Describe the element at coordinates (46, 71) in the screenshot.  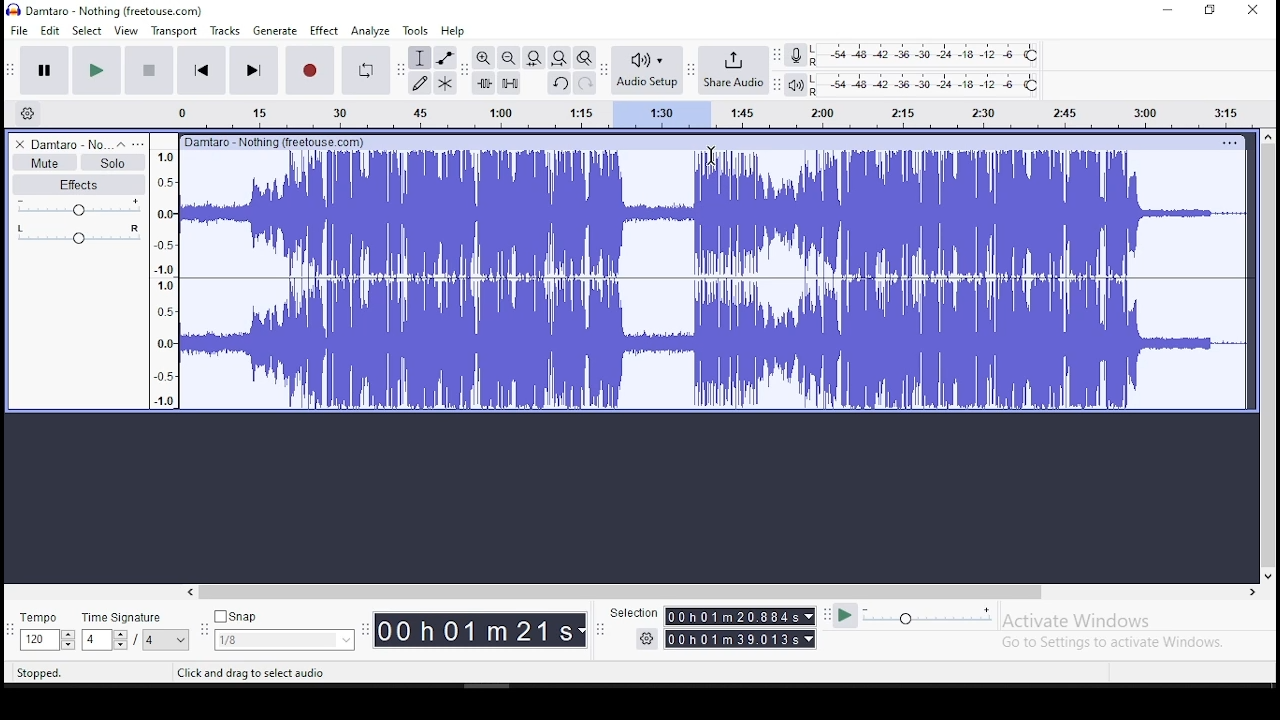
I see `pause` at that location.